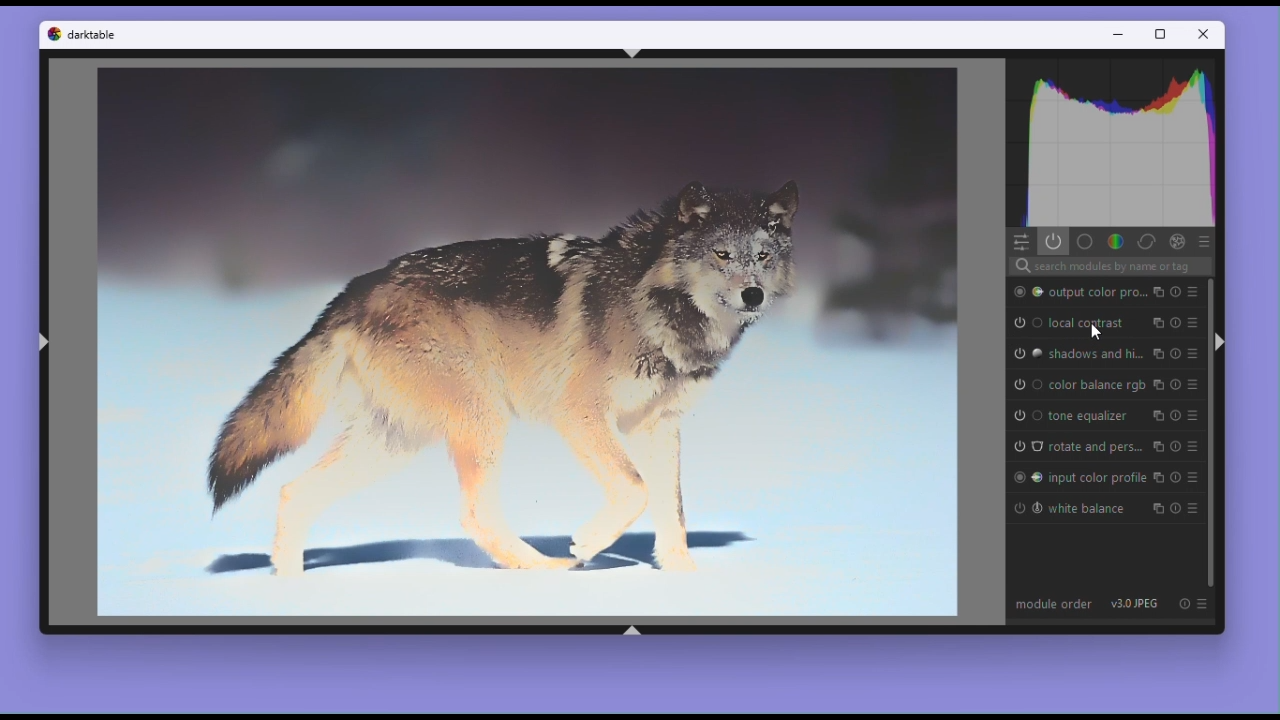 Image resolution: width=1280 pixels, height=720 pixels. What do you see at coordinates (1146, 241) in the screenshot?
I see `Correct ` at bounding box center [1146, 241].